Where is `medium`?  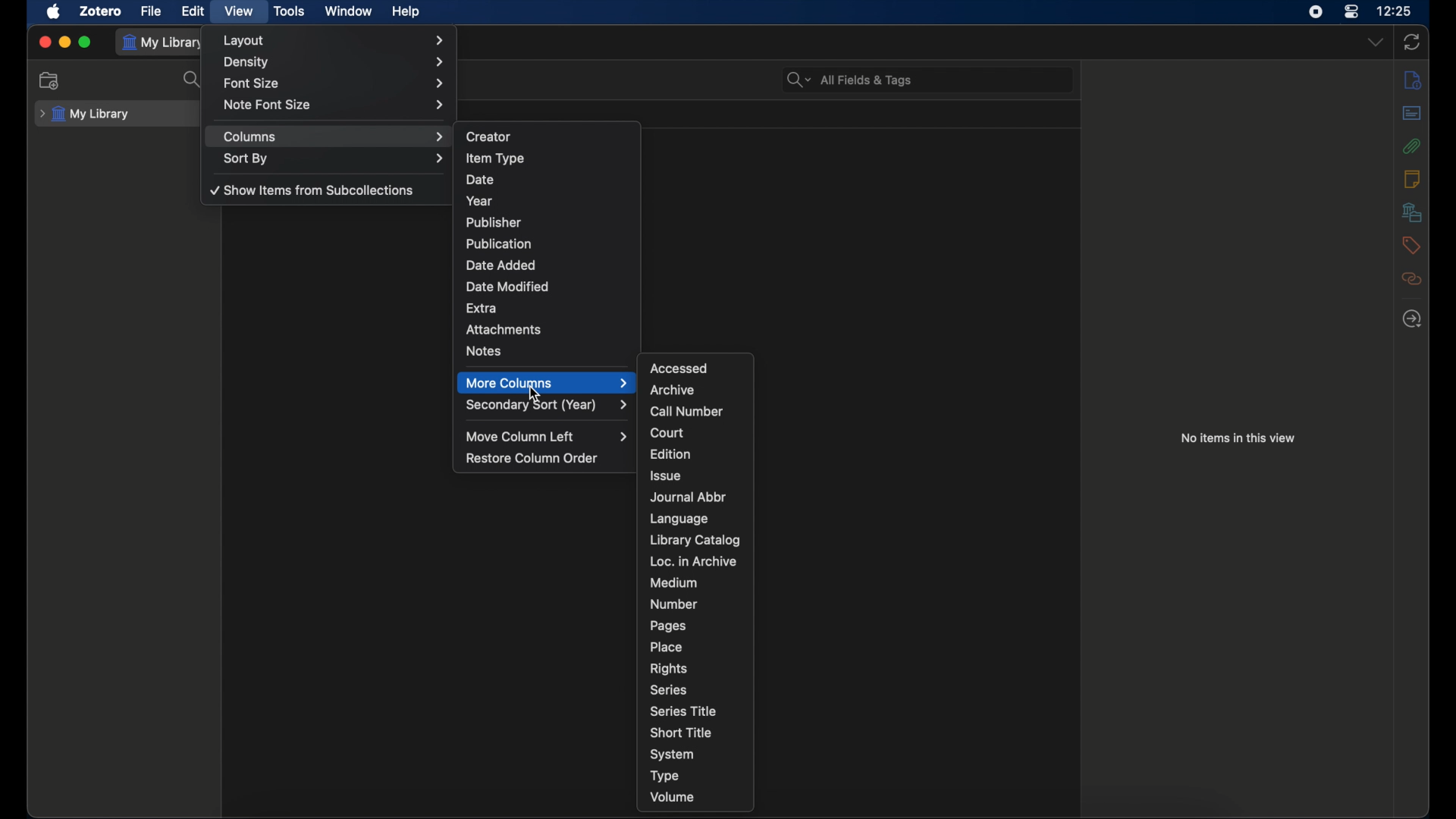
medium is located at coordinates (674, 583).